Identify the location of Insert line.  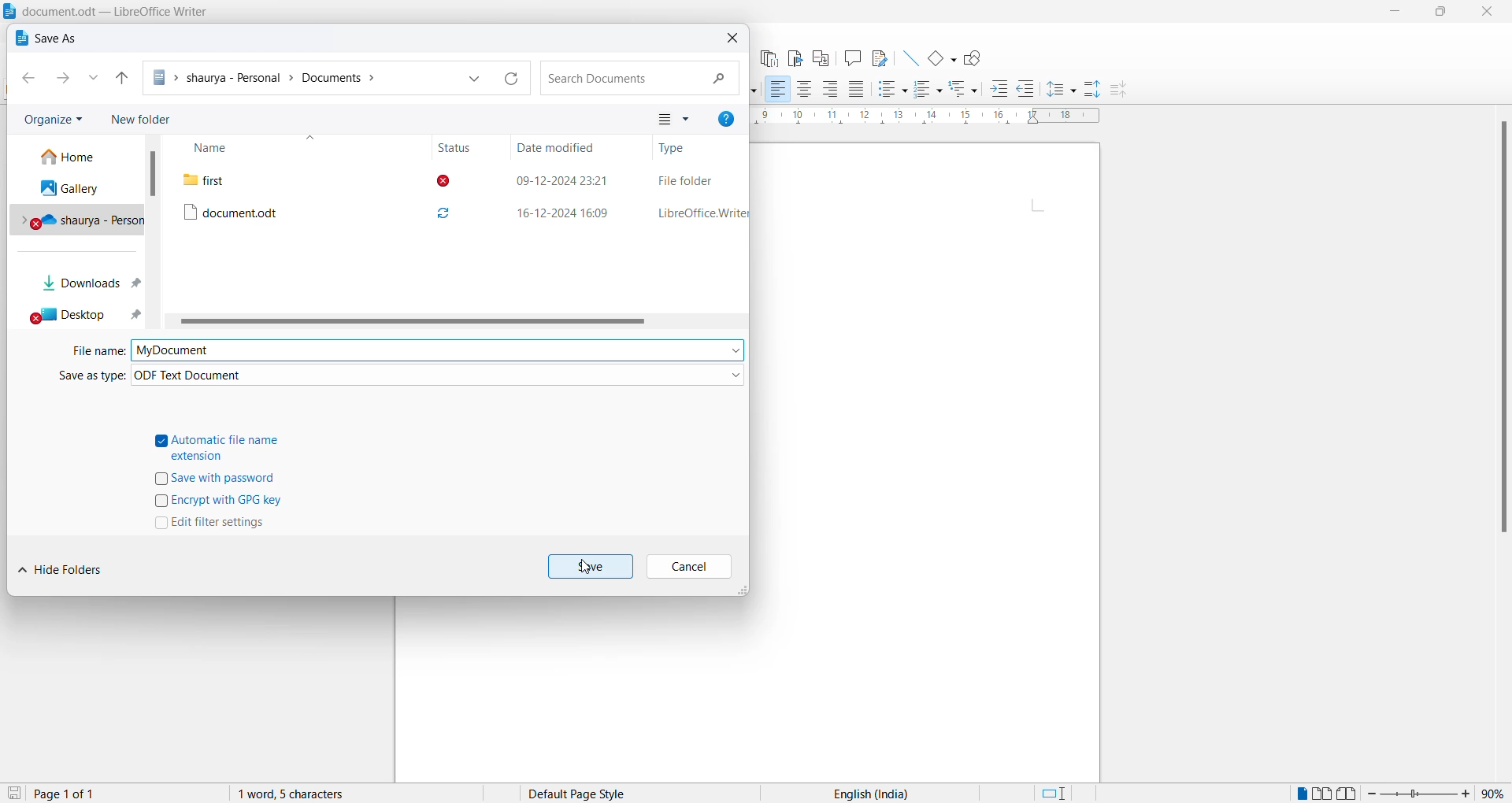
(910, 59).